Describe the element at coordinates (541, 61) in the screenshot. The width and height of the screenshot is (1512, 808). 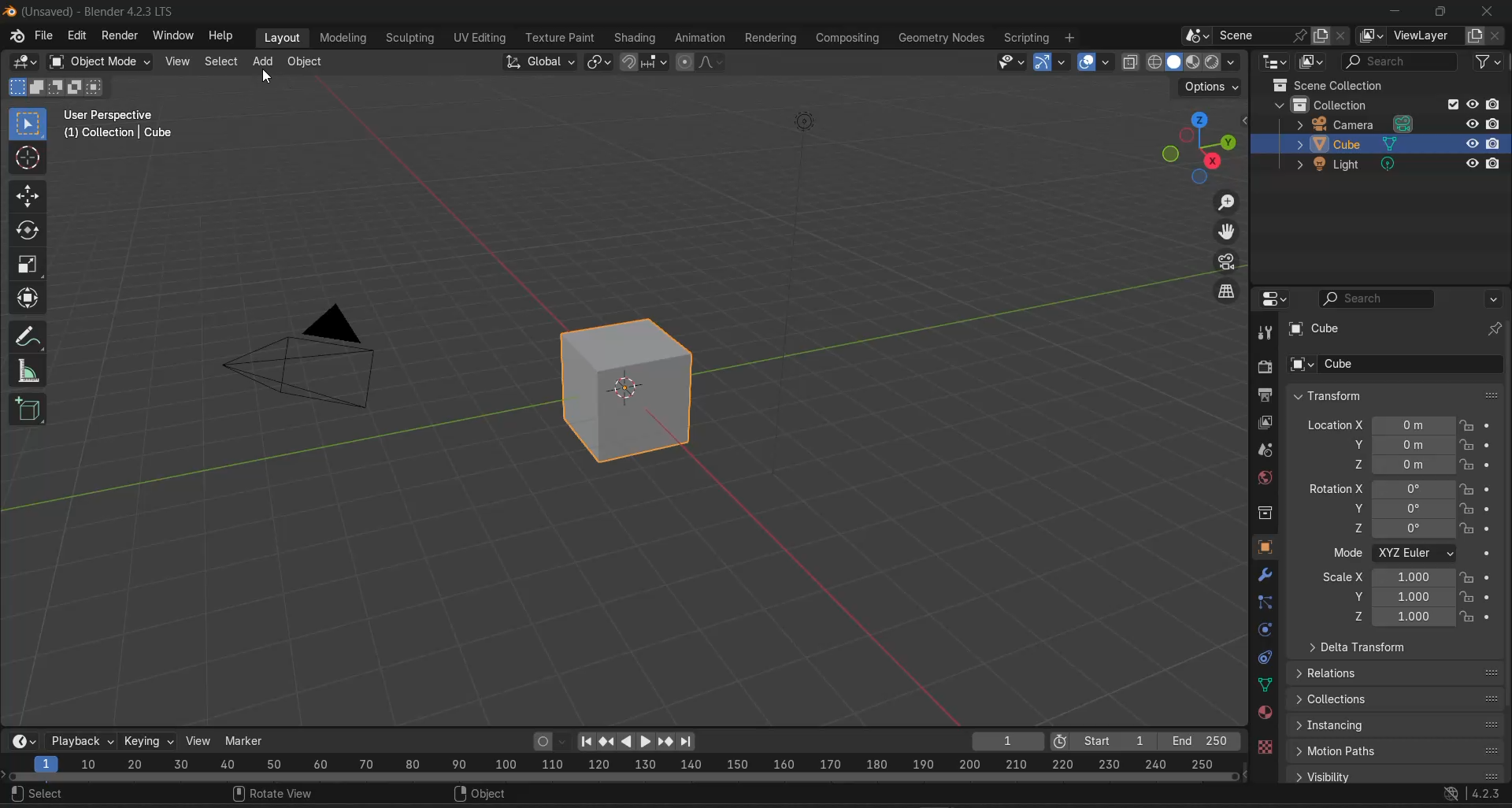
I see `transformation orientation` at that location.